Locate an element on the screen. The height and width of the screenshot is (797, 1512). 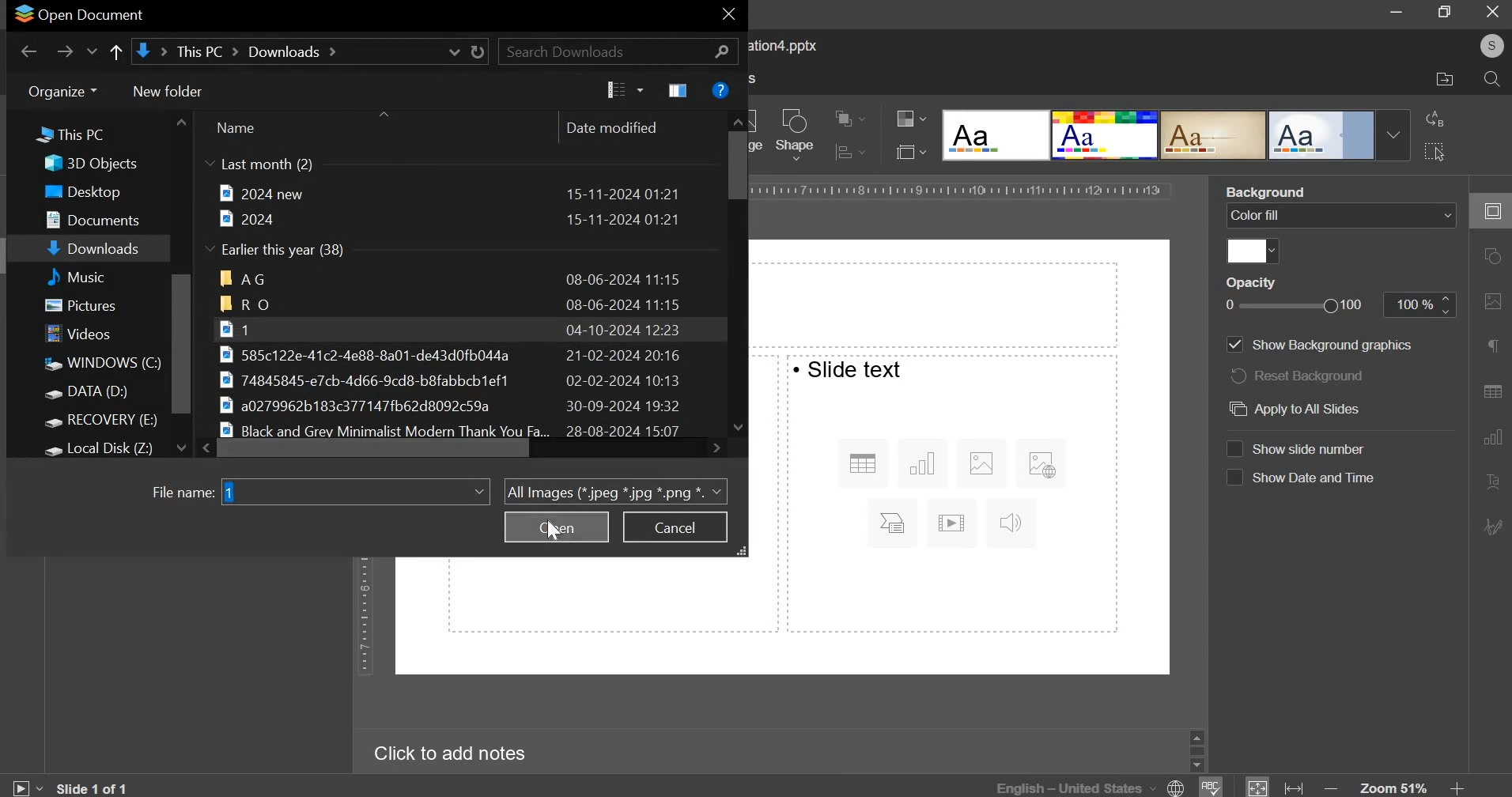
date modified is located at coordinates (613, 127).